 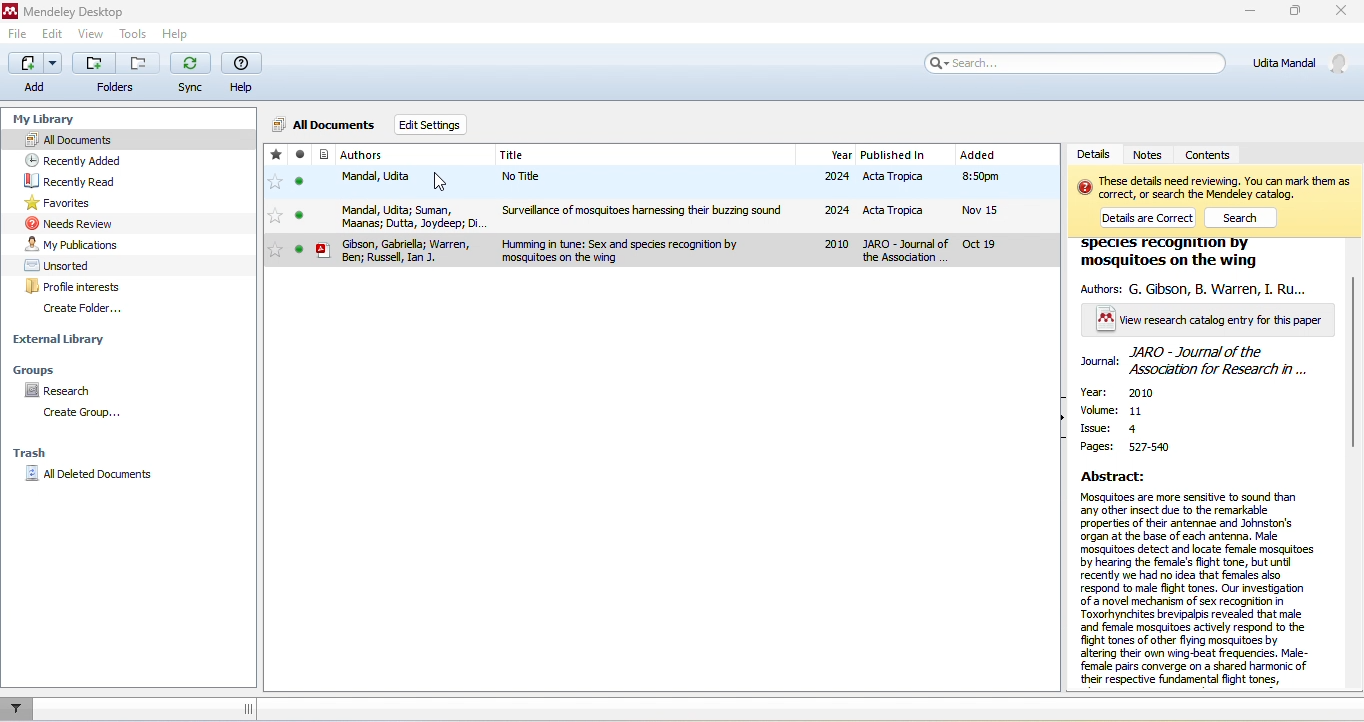 I want to click on vertical scroll bar, so click(x=1354, y=364).